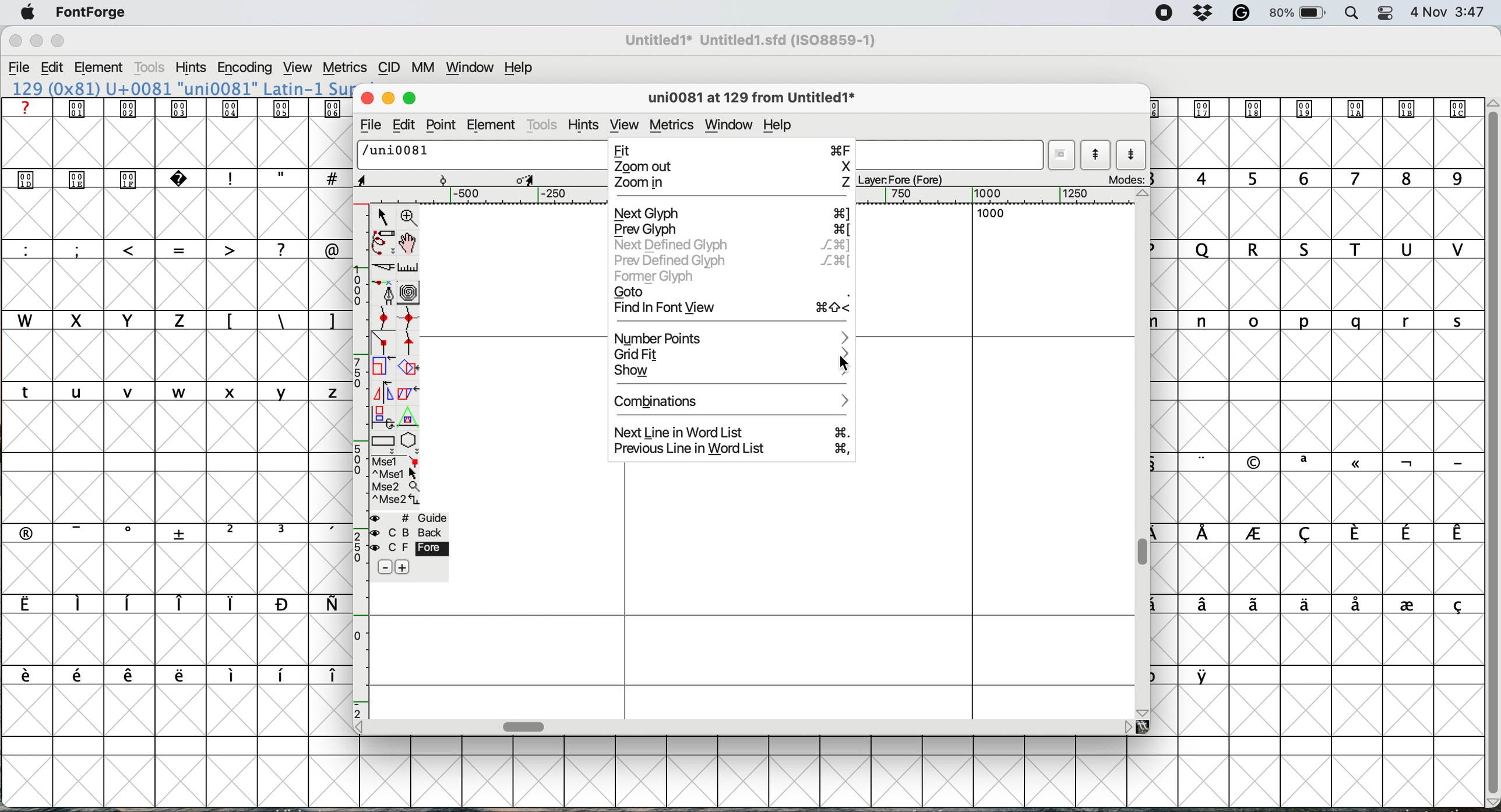 This screenshot has width=1501, height=812. I want to click on scale the selection, so click(383, 369).